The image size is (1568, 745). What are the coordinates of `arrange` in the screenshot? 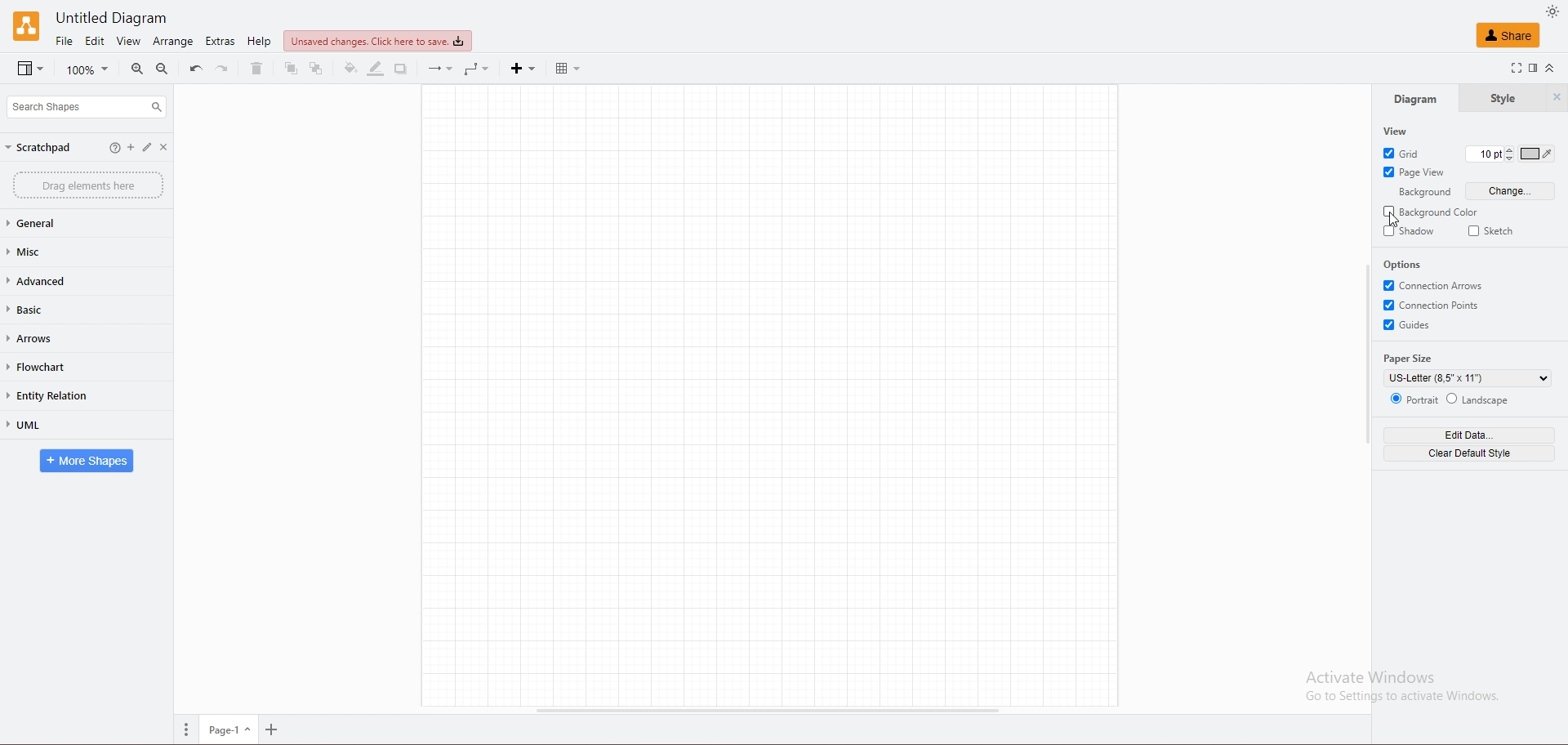 It's located at (174, 42).